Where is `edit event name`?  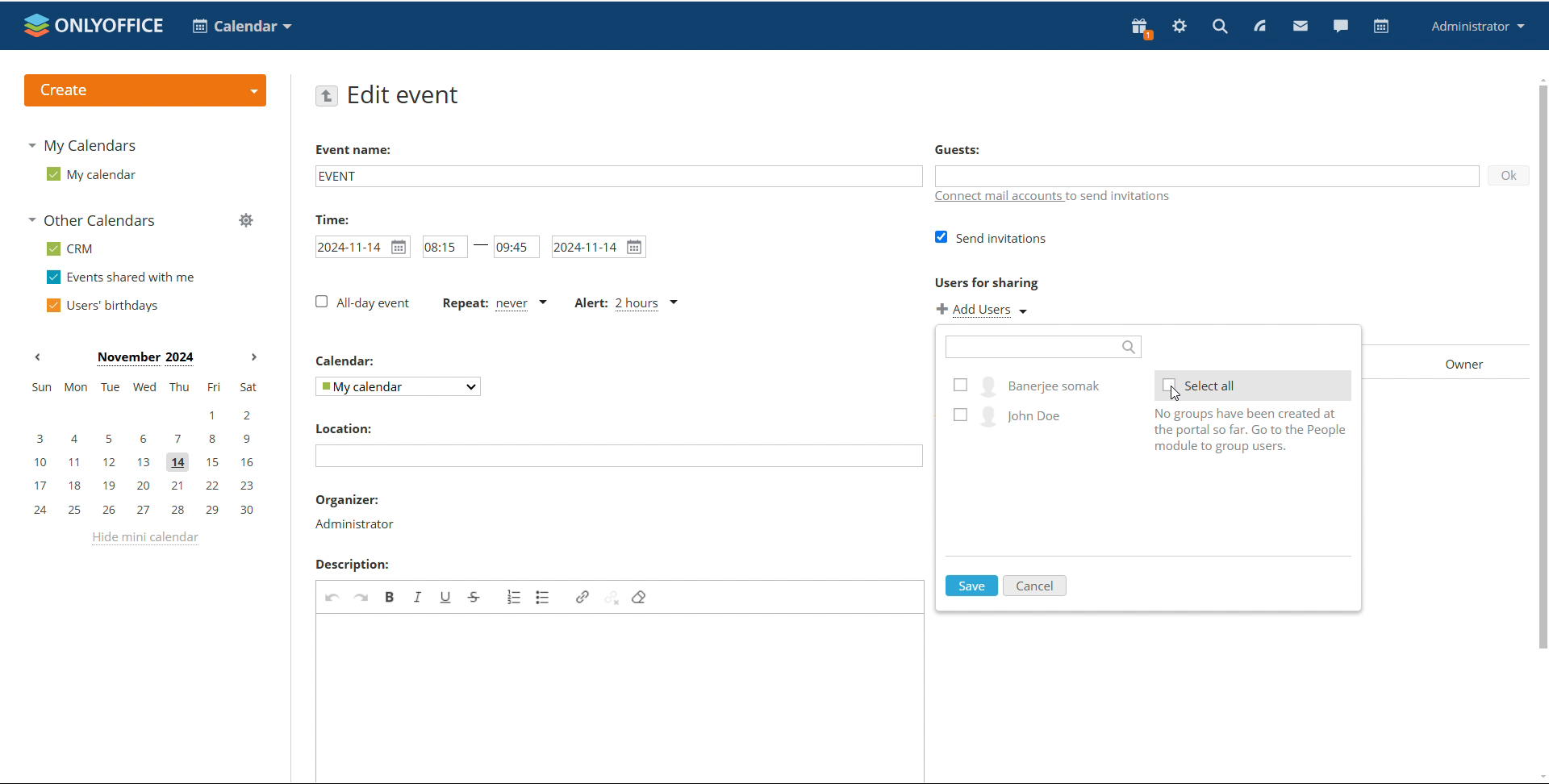
edit event name is located at coordinates (619, 175).